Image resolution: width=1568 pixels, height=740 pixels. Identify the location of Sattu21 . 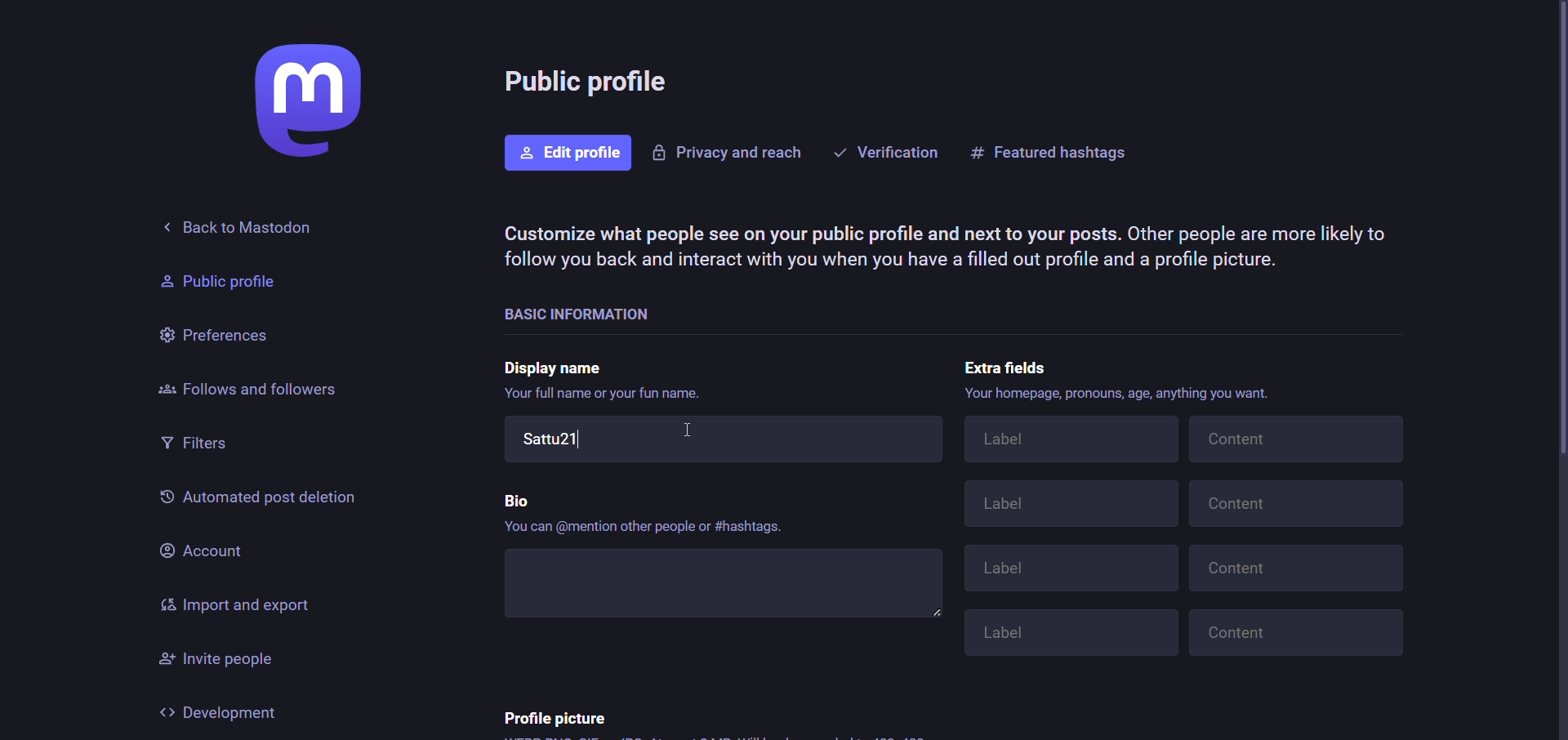
(717, 438).